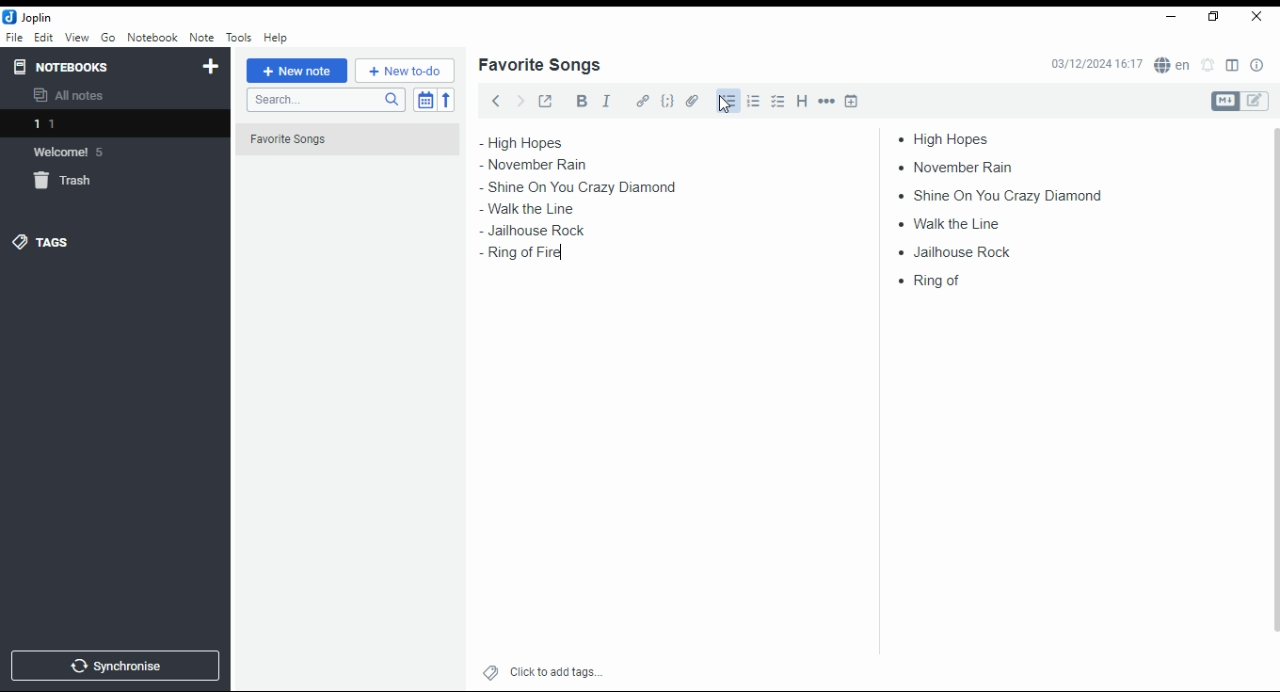  What do you see at coordinates (941, 279) in the screenshot?
I see `ring of fire` at bounding box center [941, 279].